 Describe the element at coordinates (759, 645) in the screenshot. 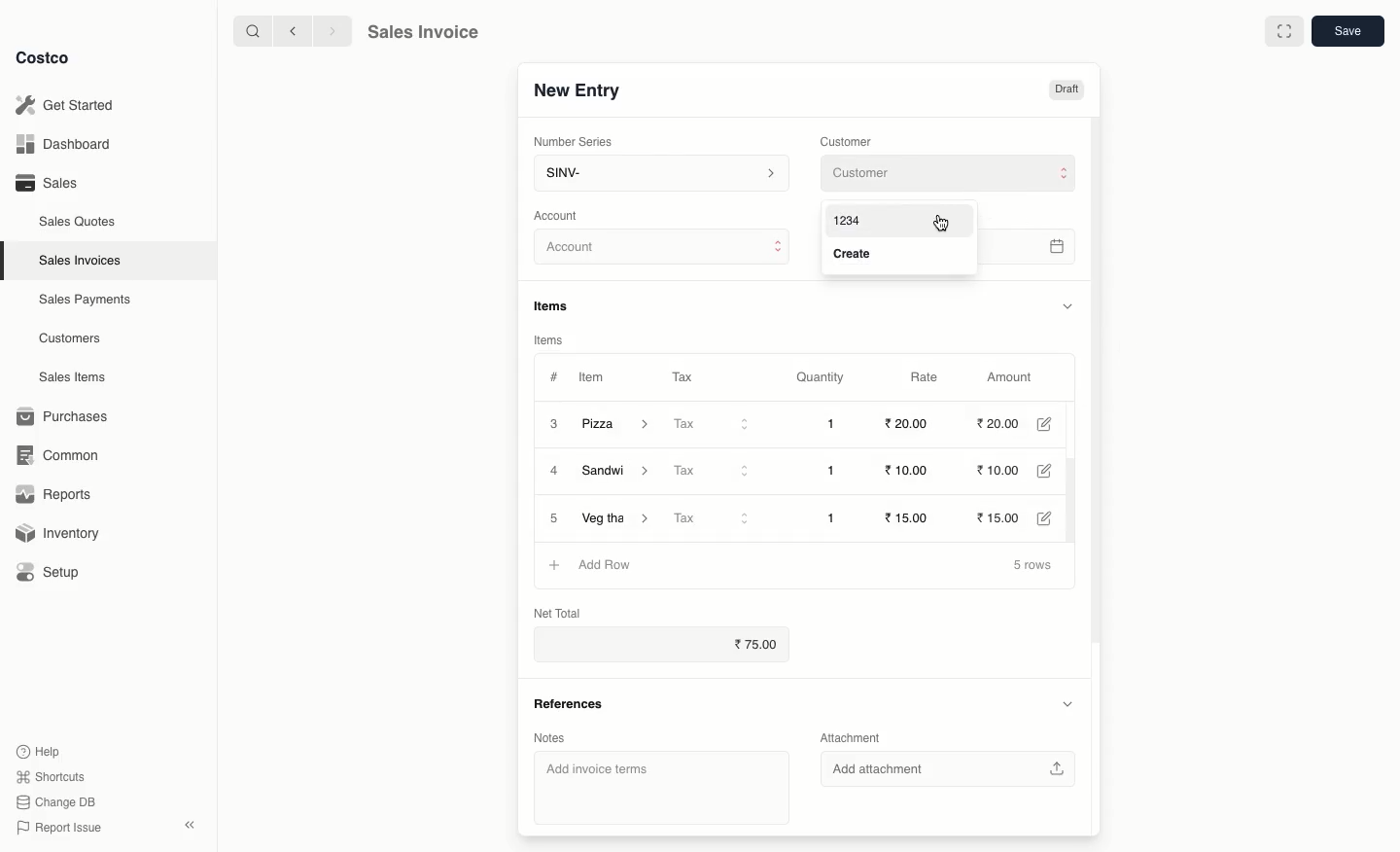

I see `75.00` at that location.